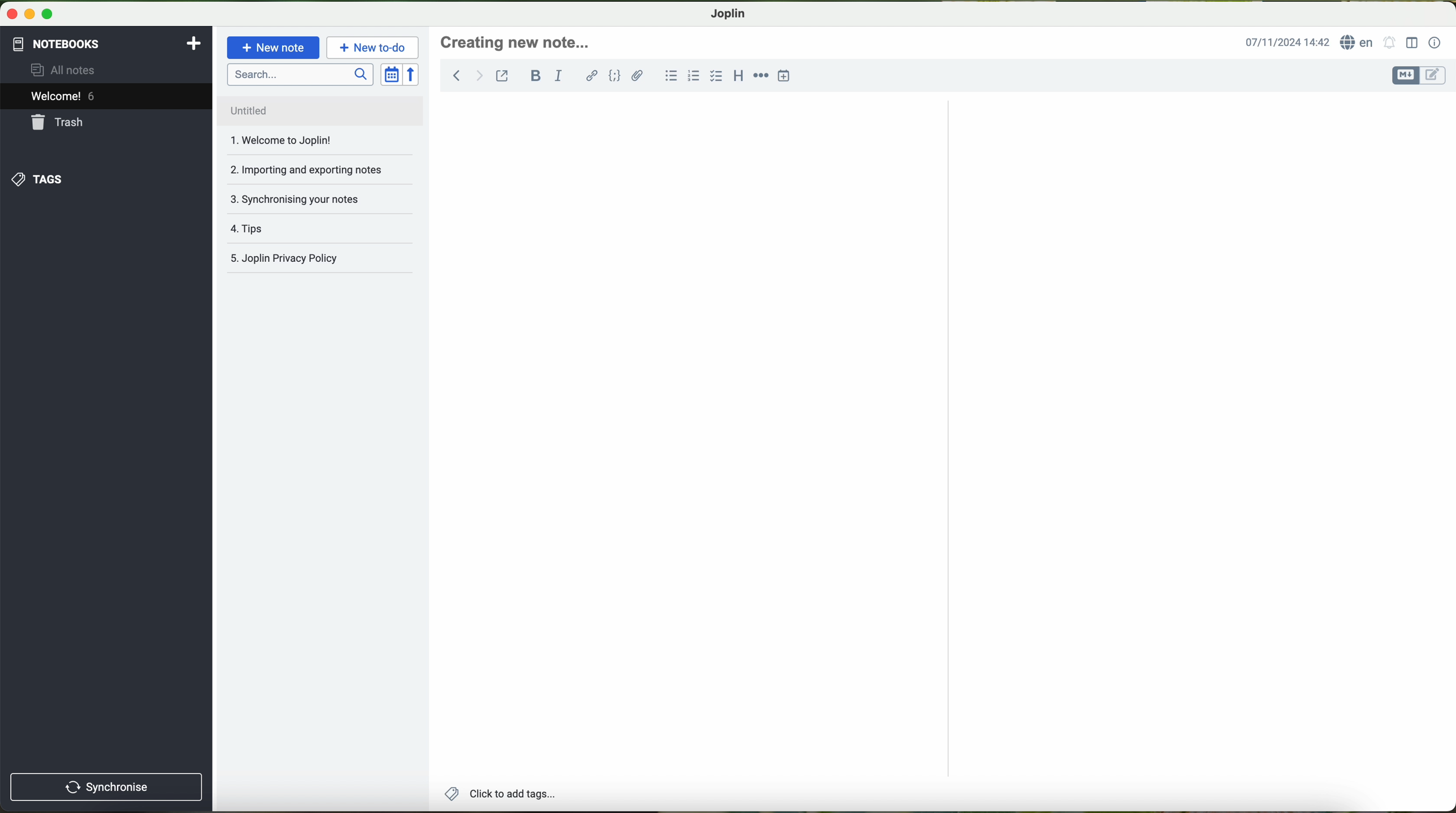  Describe the element at coordinates (591, 77) in the screenshot. I see `hyperlink` at that location.